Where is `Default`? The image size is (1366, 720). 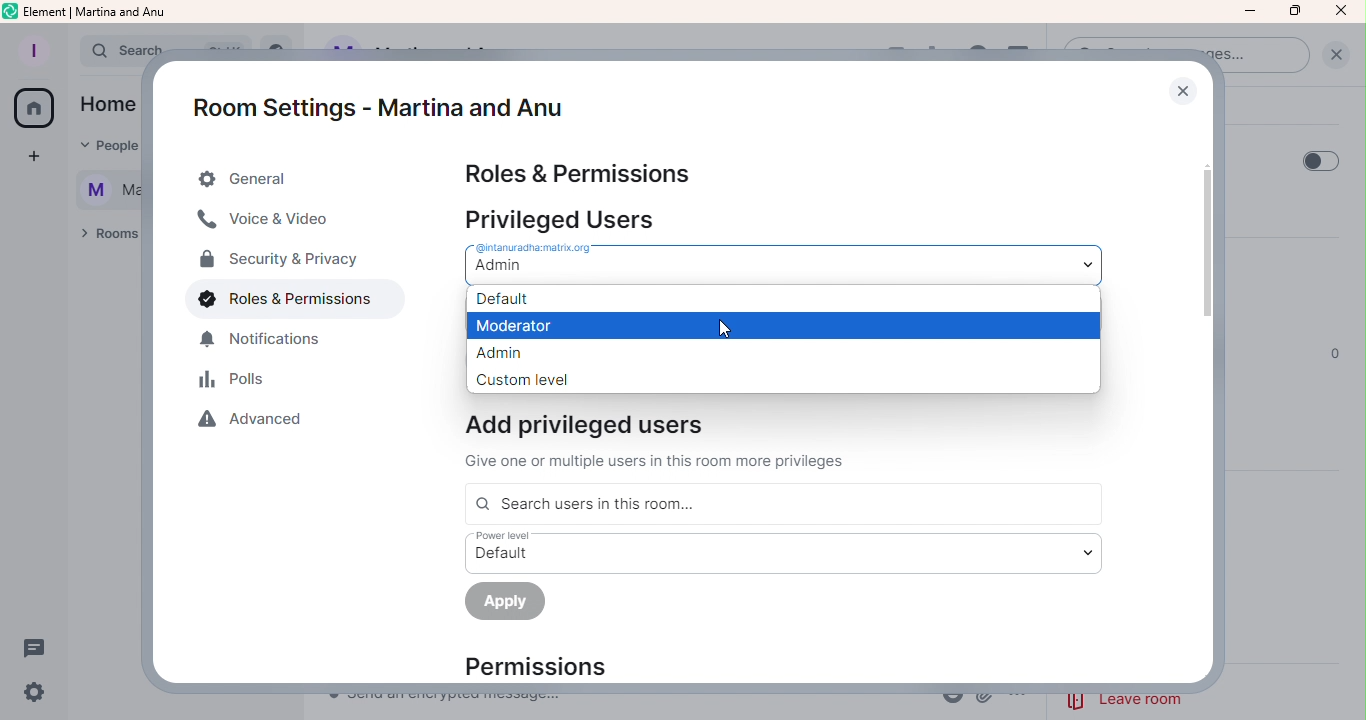
Default is located at coordinates (781, 298).